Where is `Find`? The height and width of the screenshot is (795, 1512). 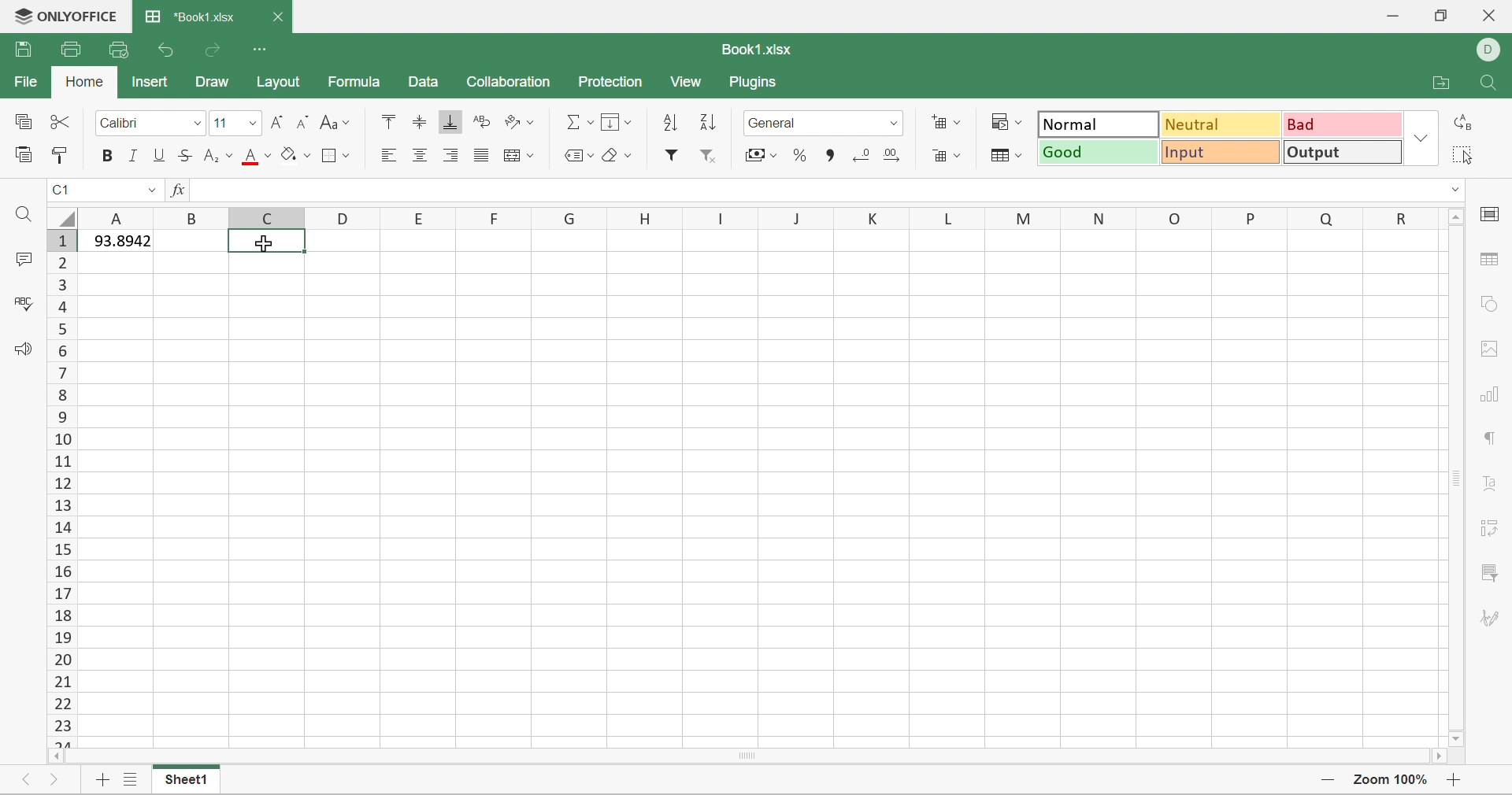
Find is located at coordinates (1483, 83).